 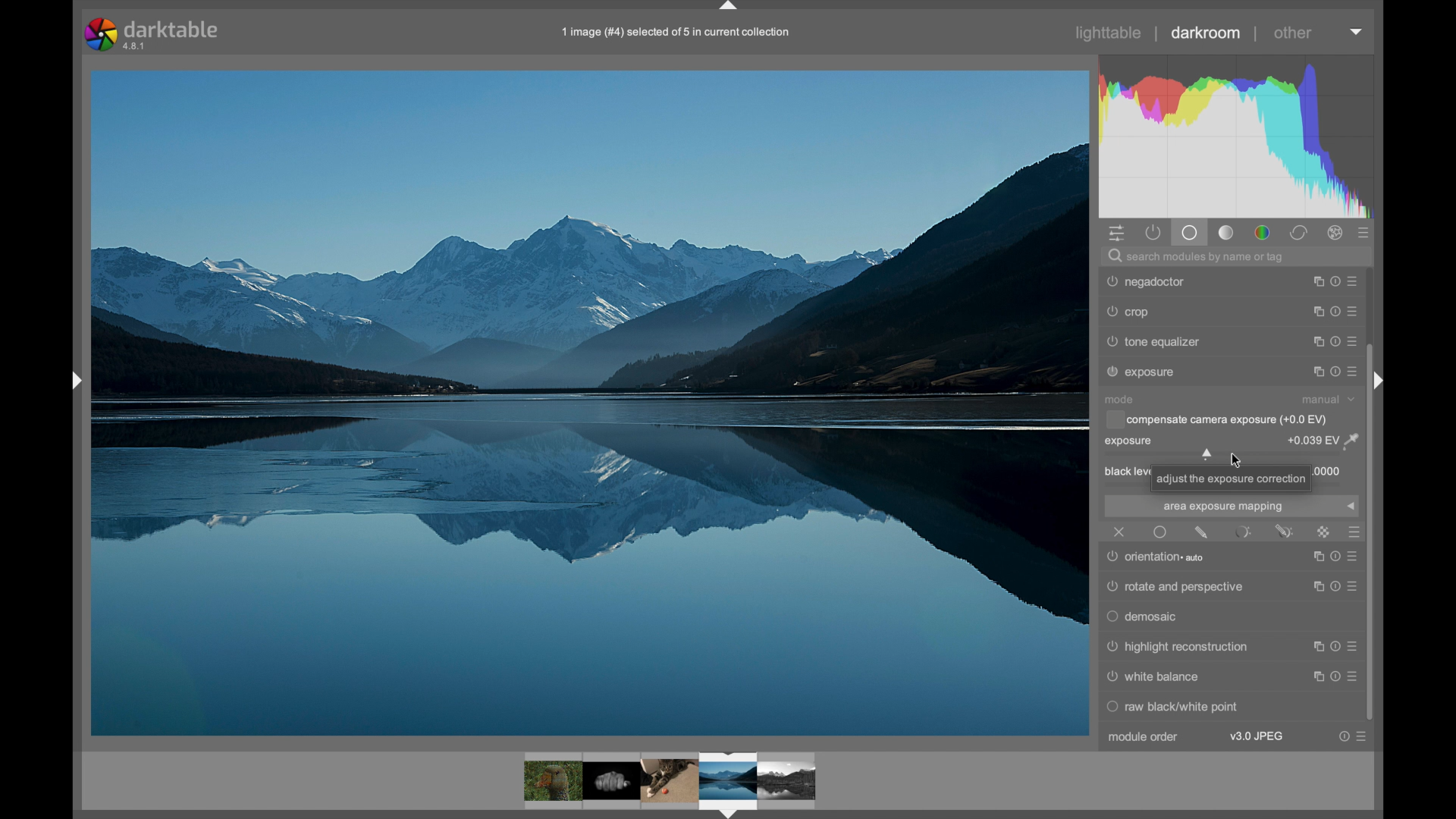 I want to click on menu, so click(x=1330, y=651).